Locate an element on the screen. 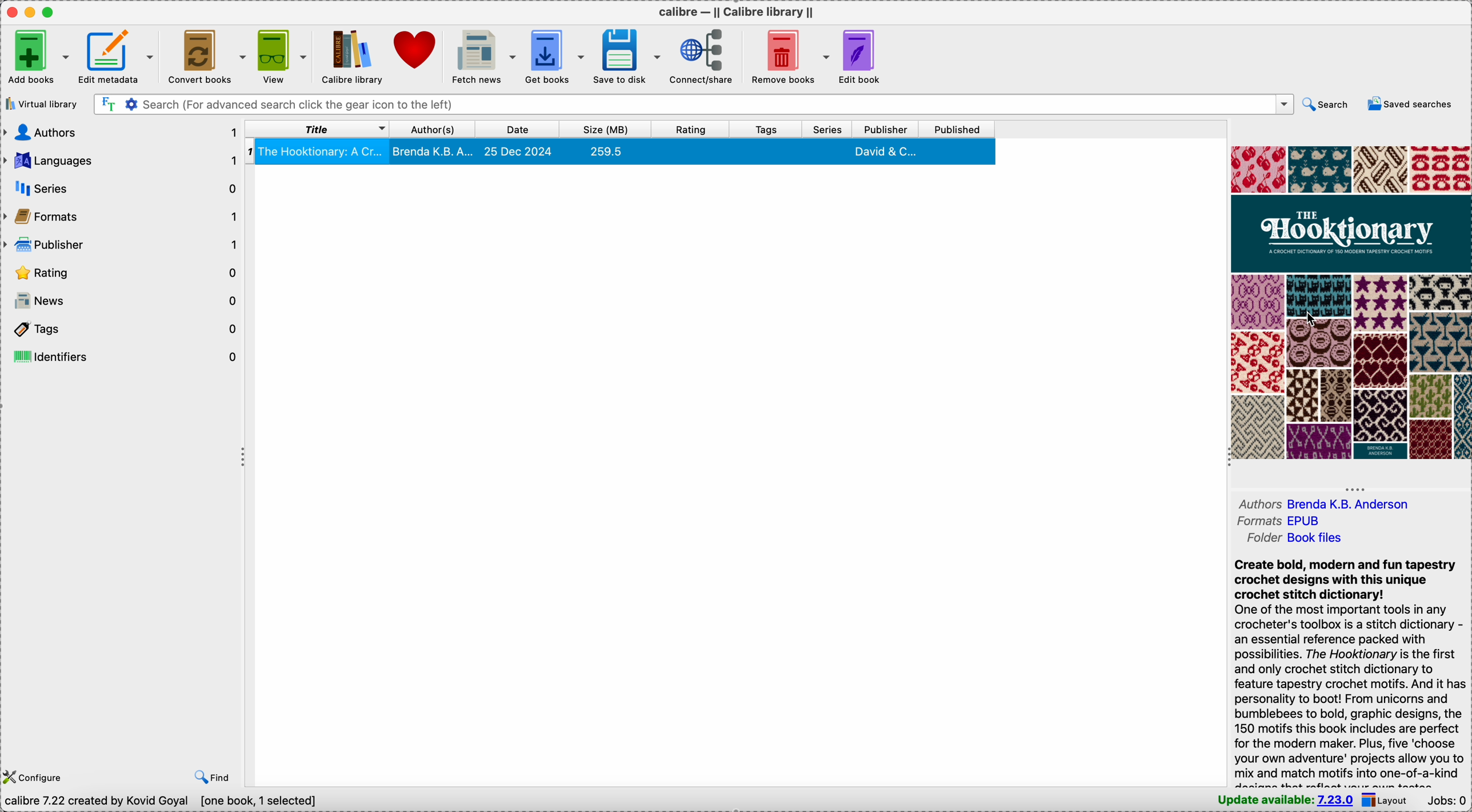  find is located at coordinates (214, 777).